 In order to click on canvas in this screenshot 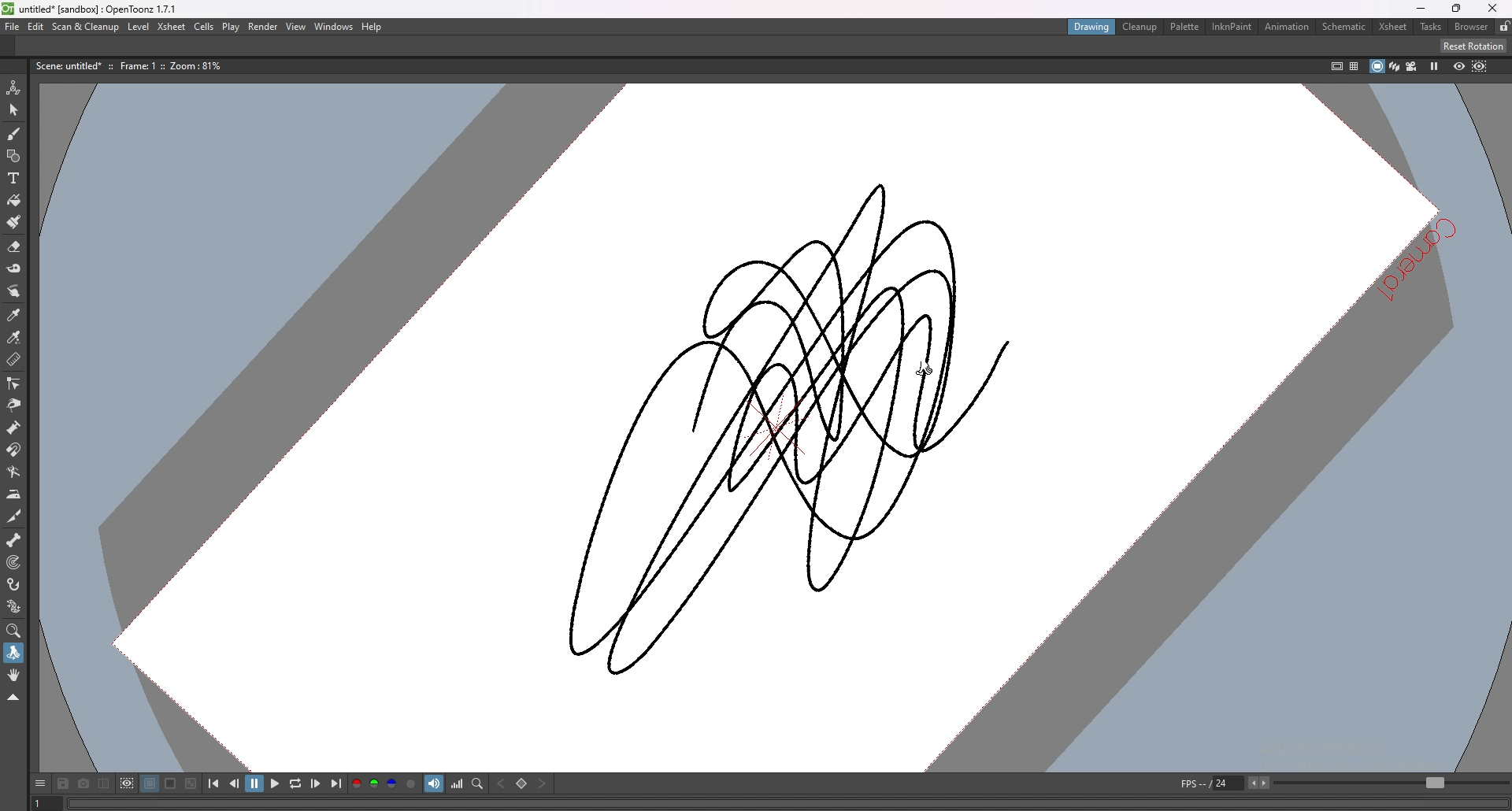, I will do `click(808, 427)`.